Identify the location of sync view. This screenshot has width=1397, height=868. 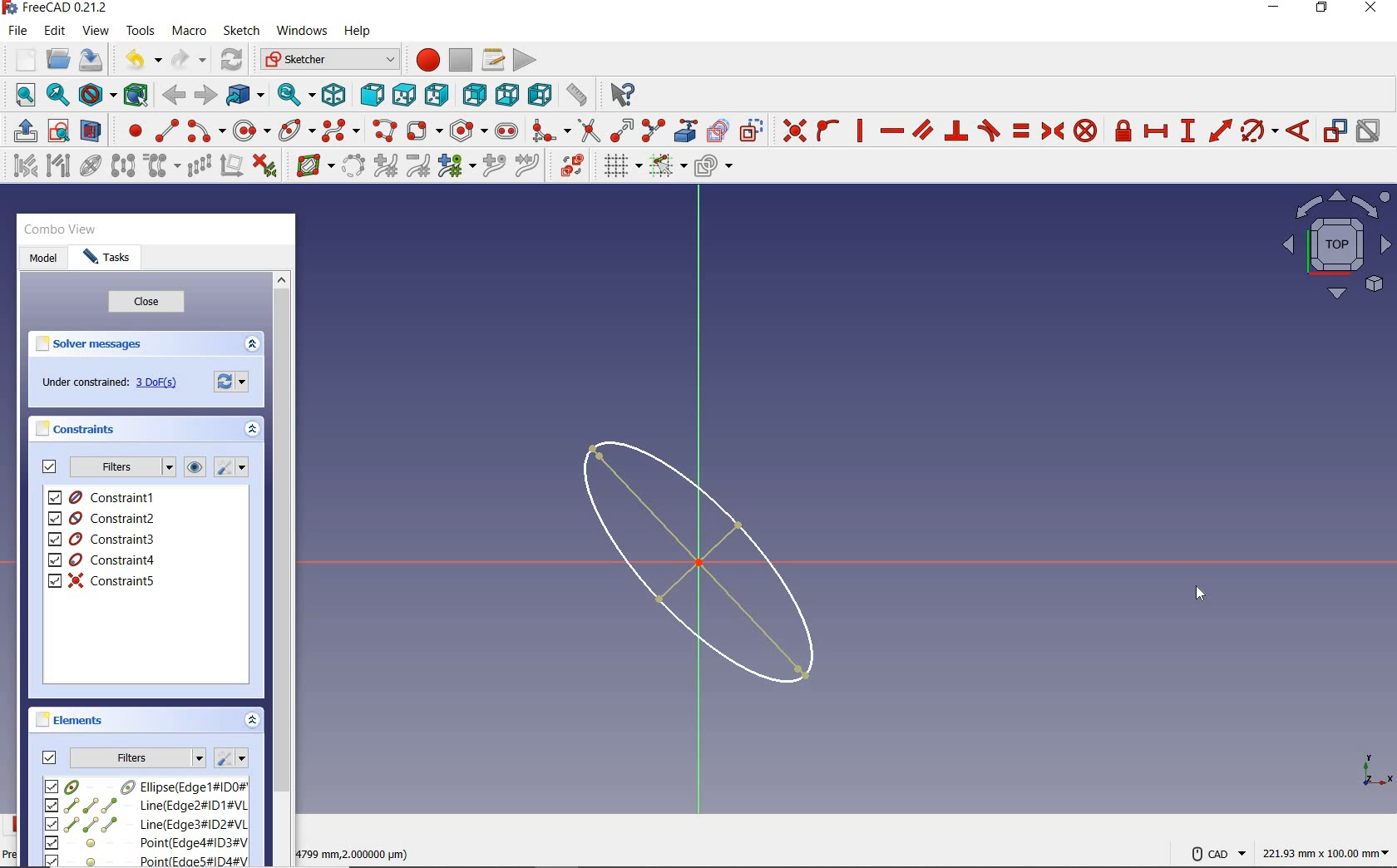
(297, 95).